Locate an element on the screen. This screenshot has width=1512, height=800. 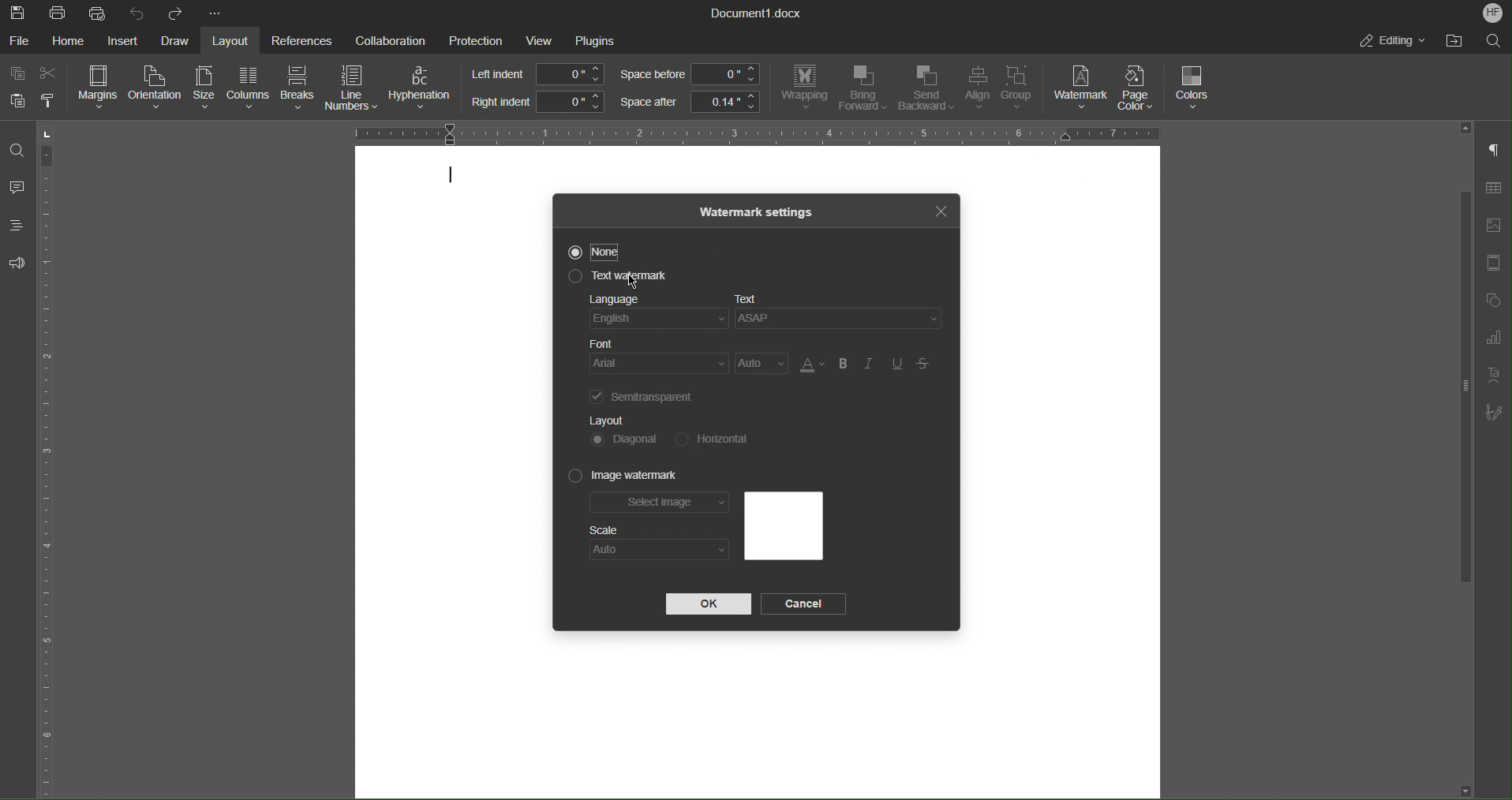
Margins is located at coordinates (99, 88).